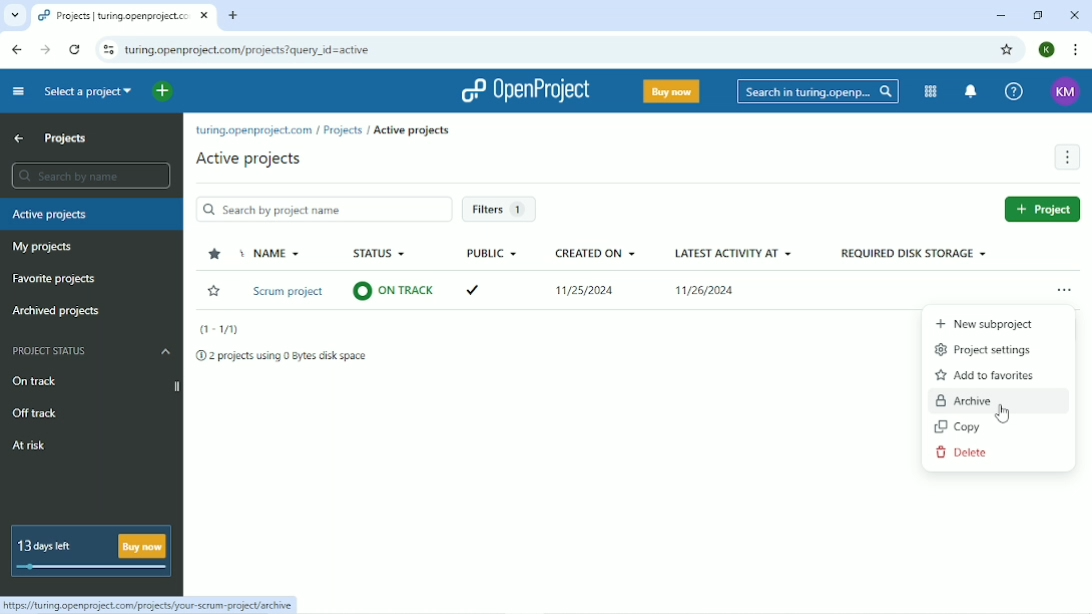  I want to click on Project status, so click(92, 351).